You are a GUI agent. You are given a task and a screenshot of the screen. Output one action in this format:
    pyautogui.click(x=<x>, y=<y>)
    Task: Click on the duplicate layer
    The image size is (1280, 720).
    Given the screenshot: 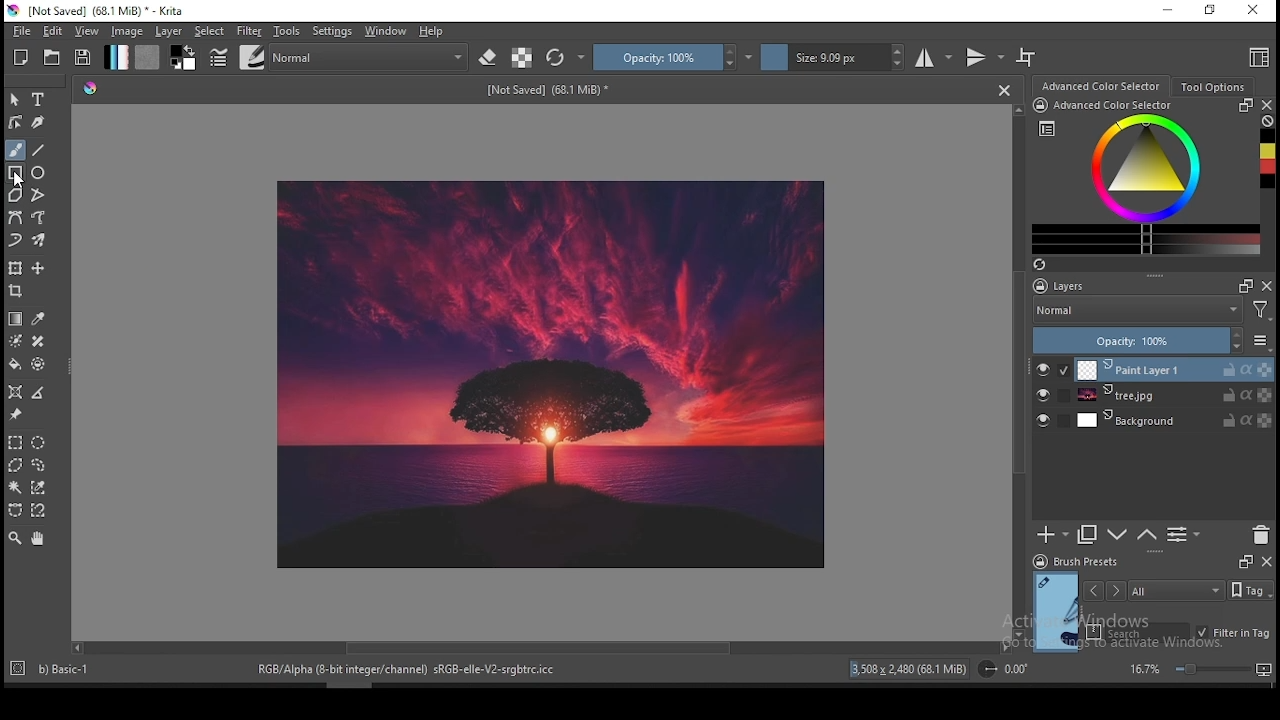 What is the action you would take?
    pyautogui.click(x=1088, y=536)
    